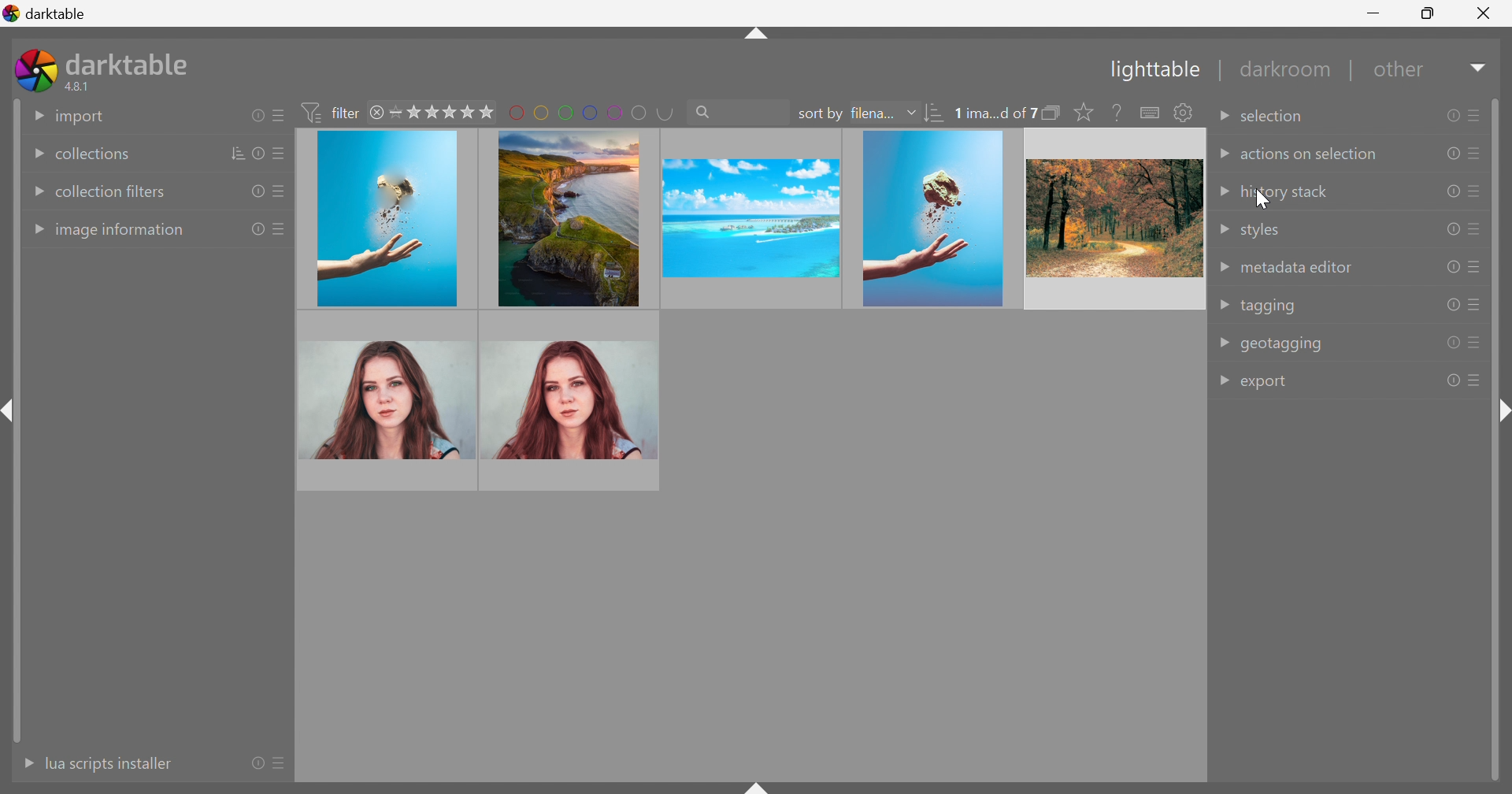 The image size is (1512, 794). Describe the element at coordinates (443, 112) in the screenshot. I see `range rating` at that location.